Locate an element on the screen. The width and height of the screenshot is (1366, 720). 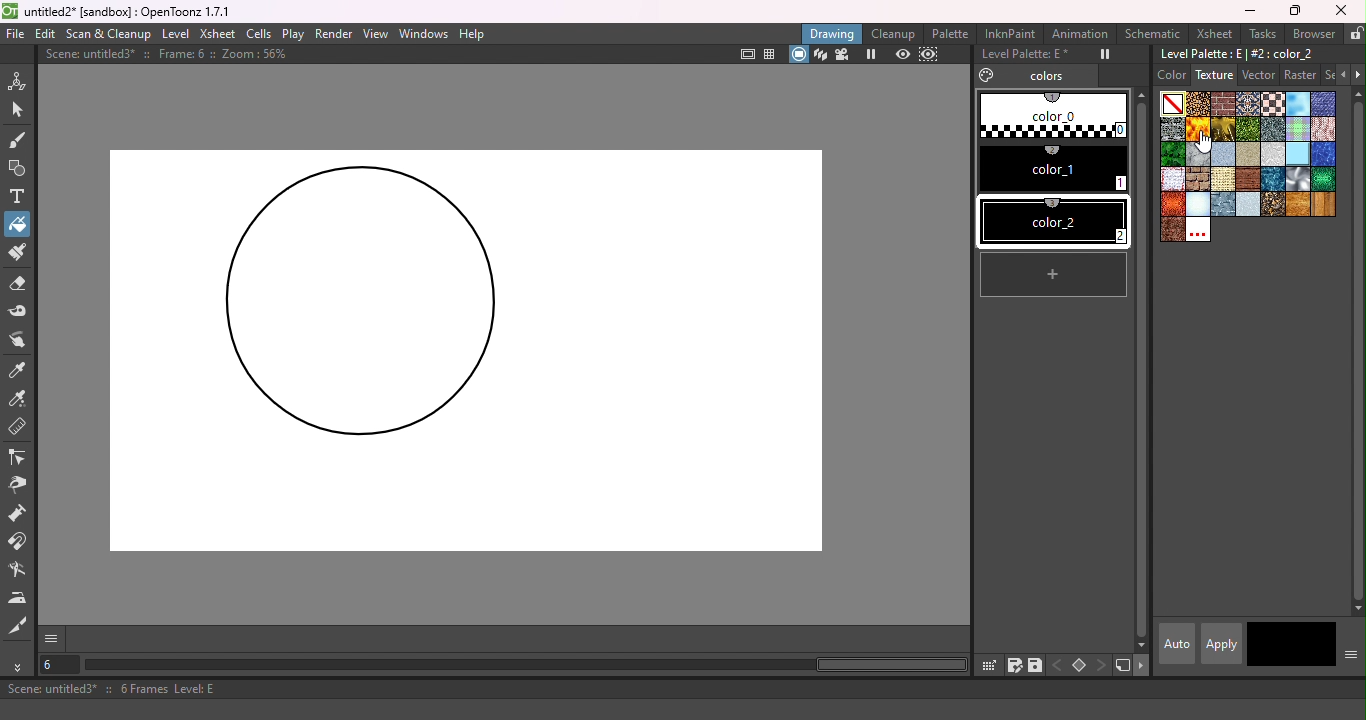
Paper 4.bmp is located at coordinates (1248, 154).